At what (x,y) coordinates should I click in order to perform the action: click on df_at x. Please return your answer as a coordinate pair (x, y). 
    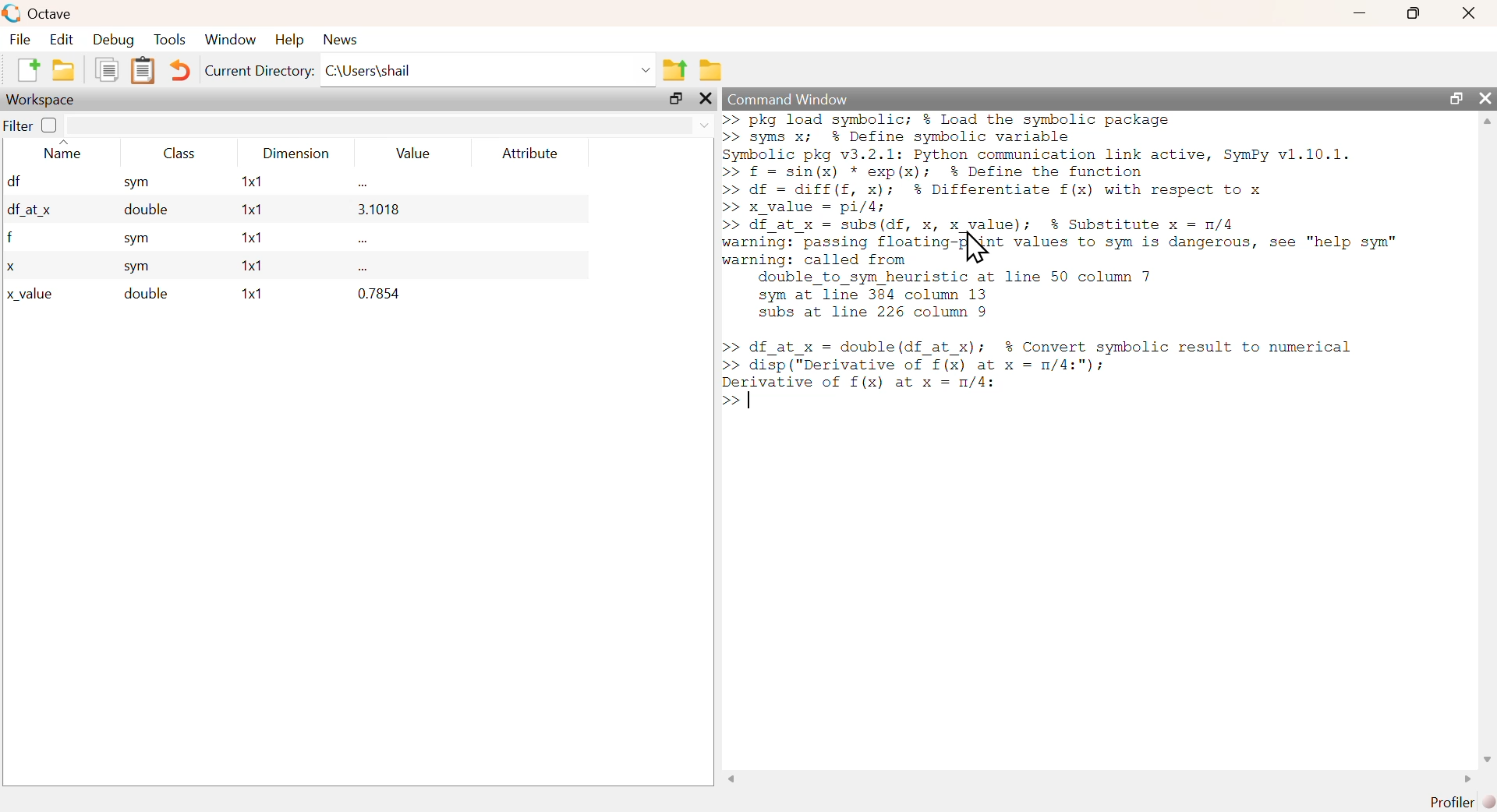
    Looking at the image, I should click on (30, 212).